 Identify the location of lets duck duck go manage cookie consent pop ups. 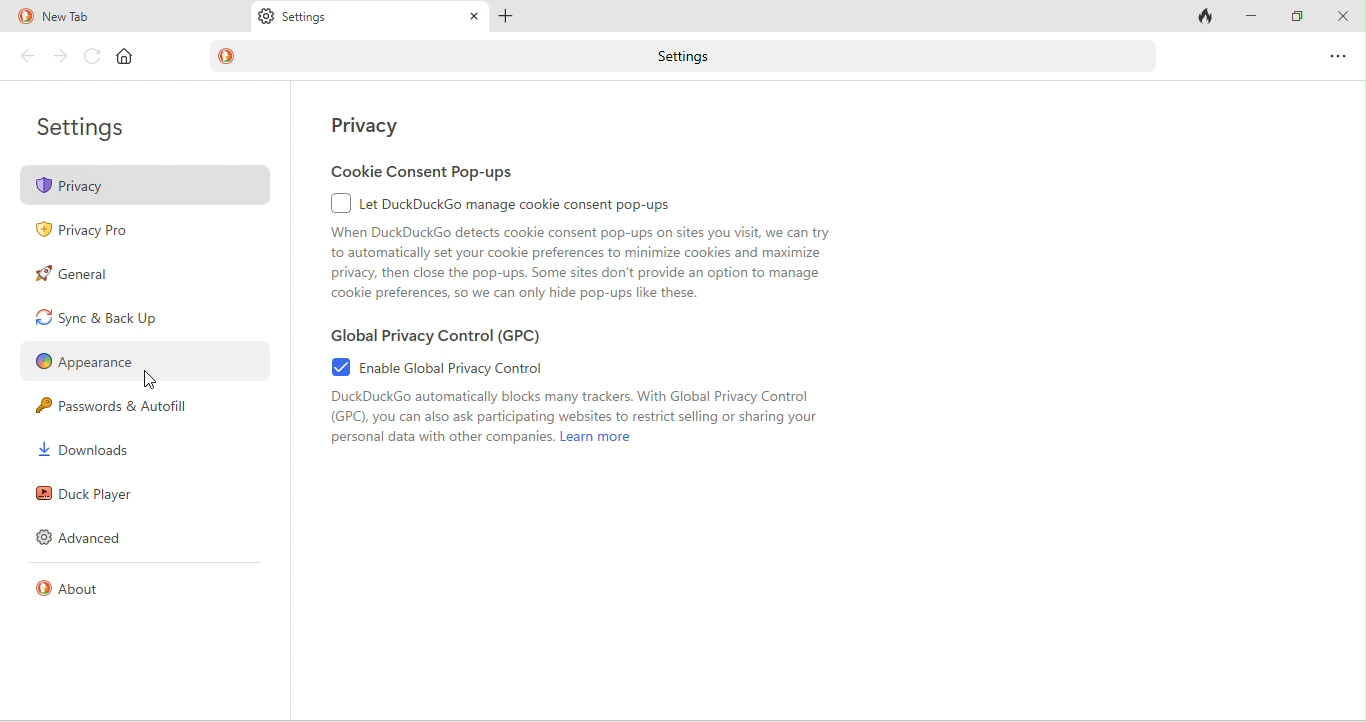
(527, 203).